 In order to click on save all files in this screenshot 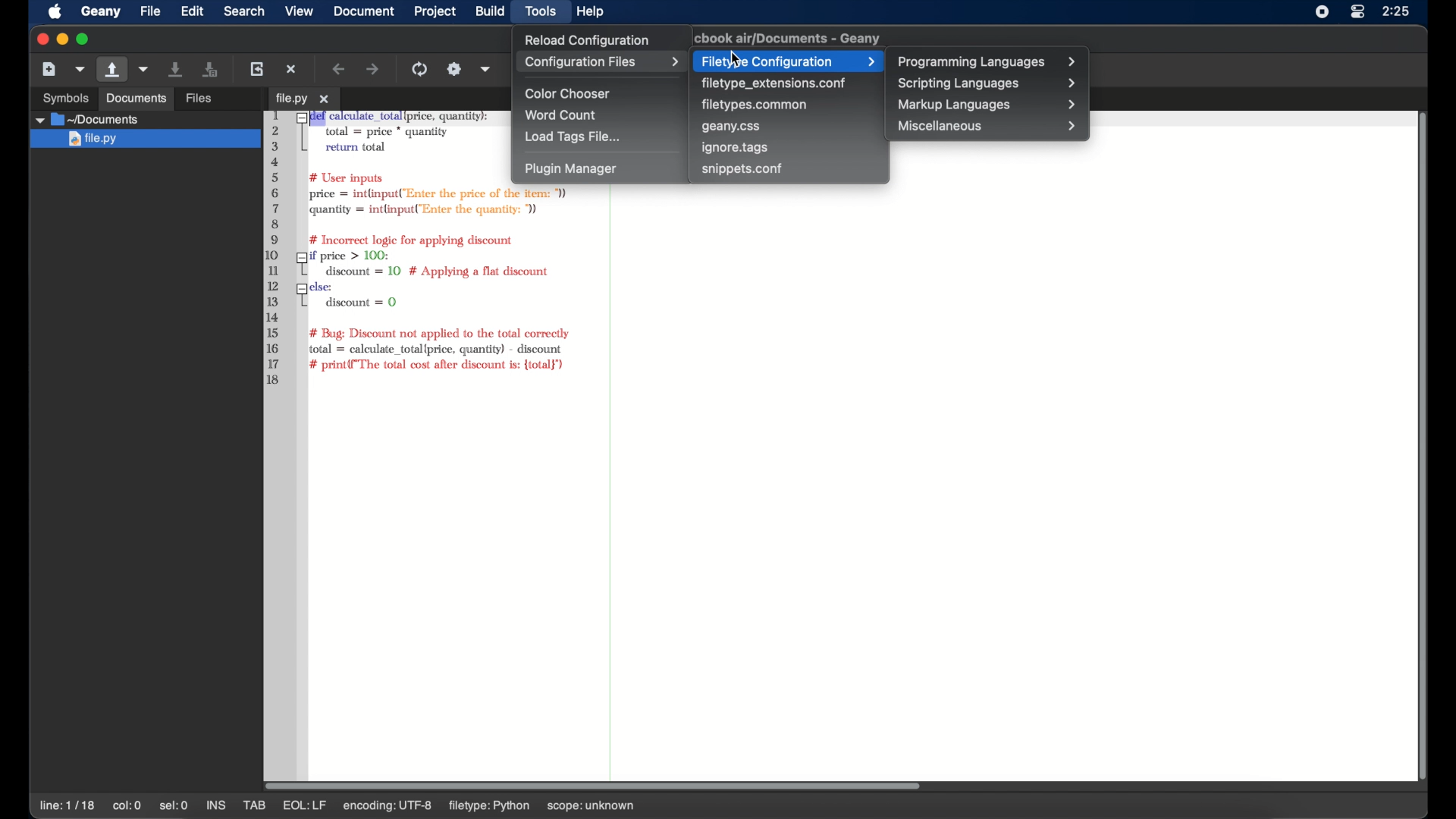, I will do `click(211, 70)`.